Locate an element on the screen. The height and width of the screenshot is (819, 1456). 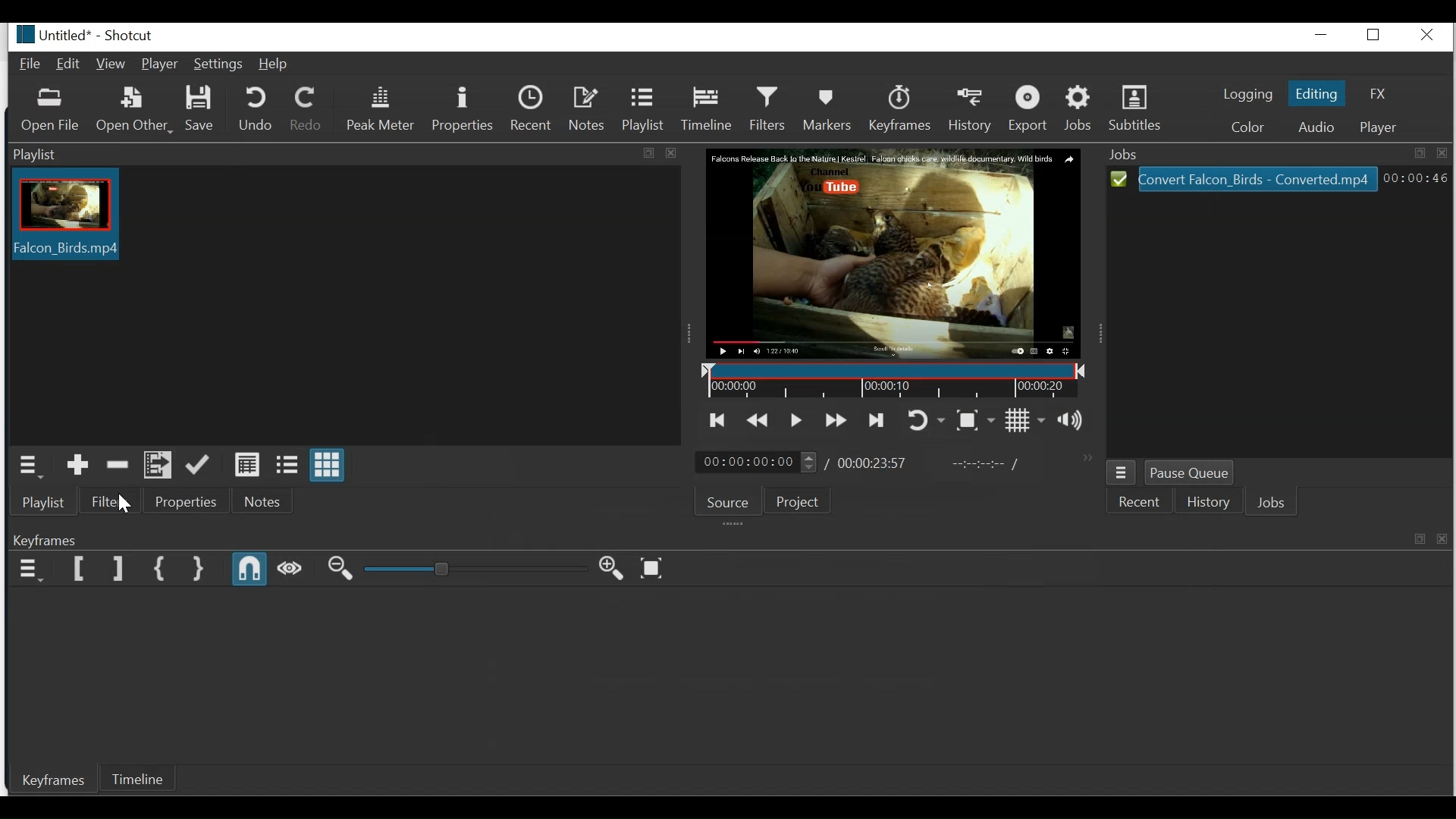
Open File  is located at coordinates (52, 111).